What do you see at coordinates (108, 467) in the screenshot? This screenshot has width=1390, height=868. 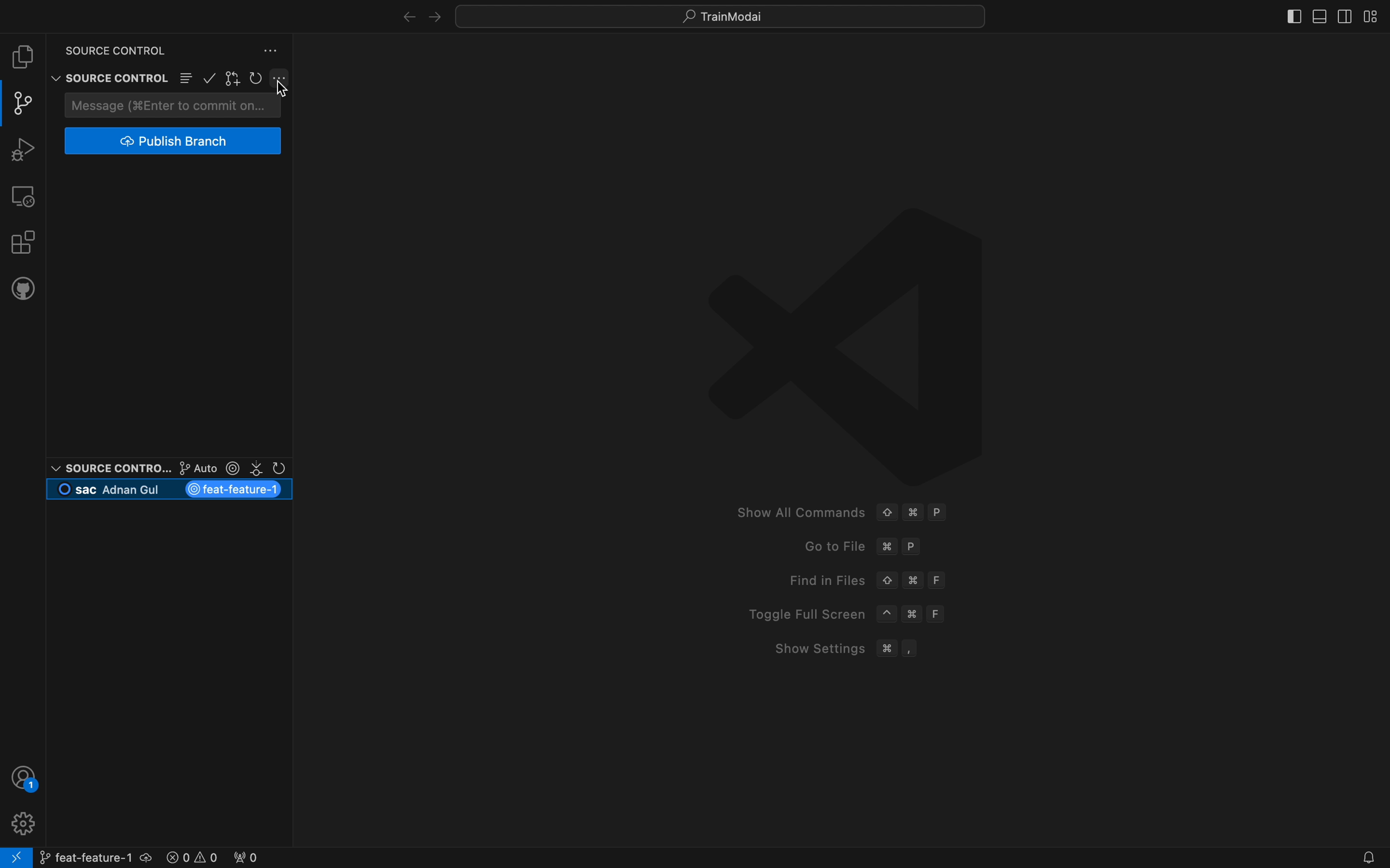 I see `Source control` at bounding box center [108, 467].